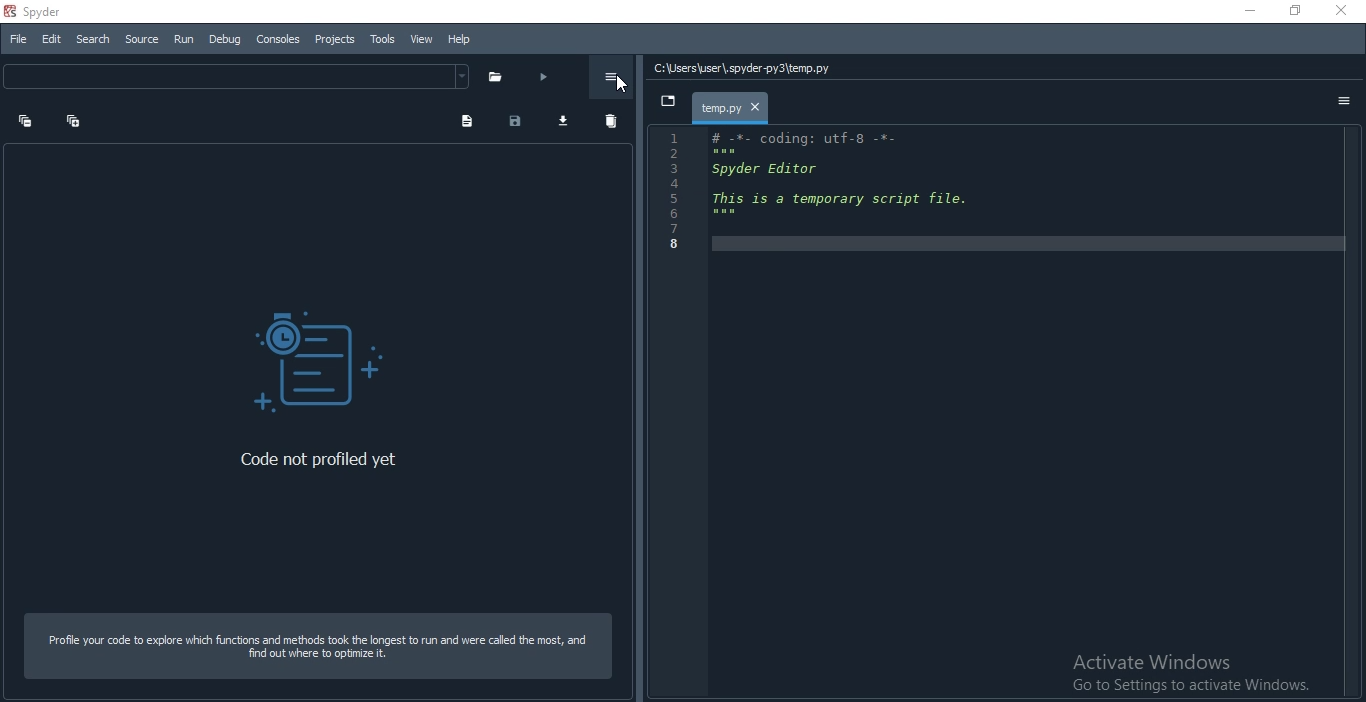  What do you see at coordinates (1343, 11) in the screenshot?
I see `Close` at bounding box center [1343, 11].